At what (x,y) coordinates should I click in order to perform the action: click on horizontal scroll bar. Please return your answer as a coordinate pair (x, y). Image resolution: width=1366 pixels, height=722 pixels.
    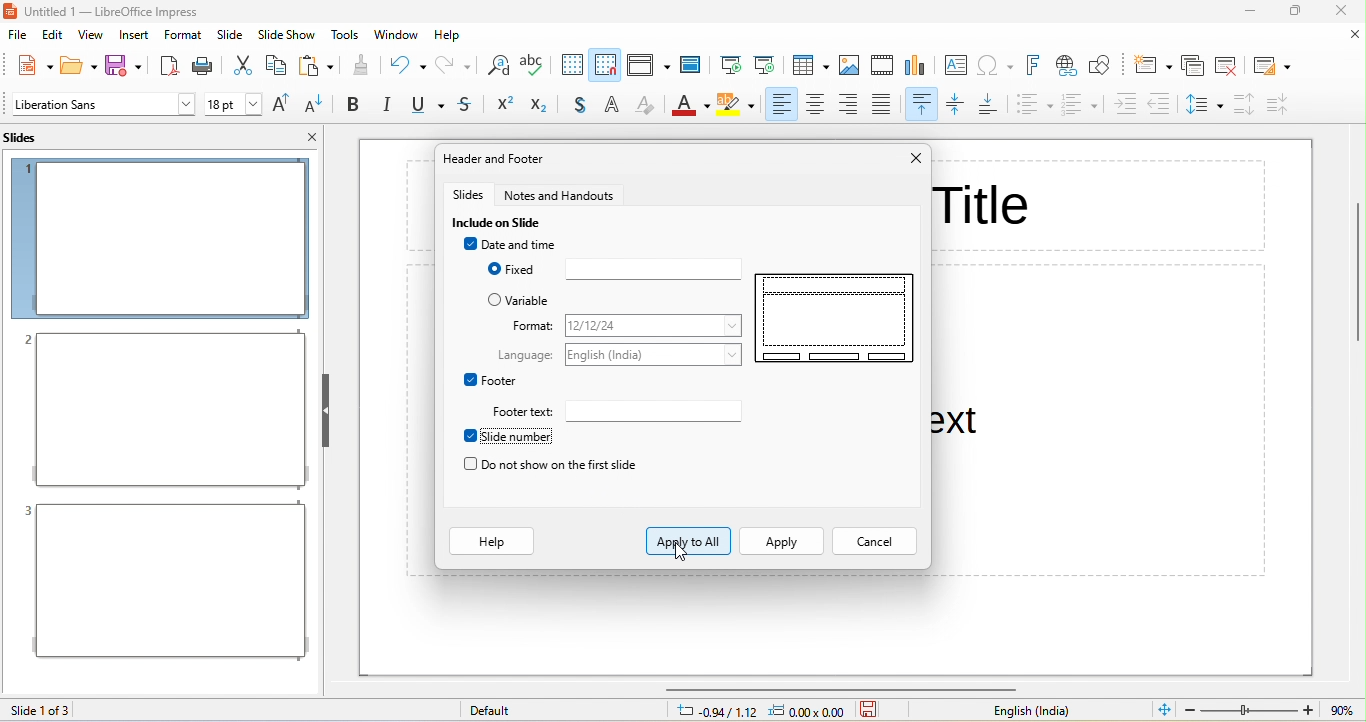
    Looking at the image, I should click on (843, 688).